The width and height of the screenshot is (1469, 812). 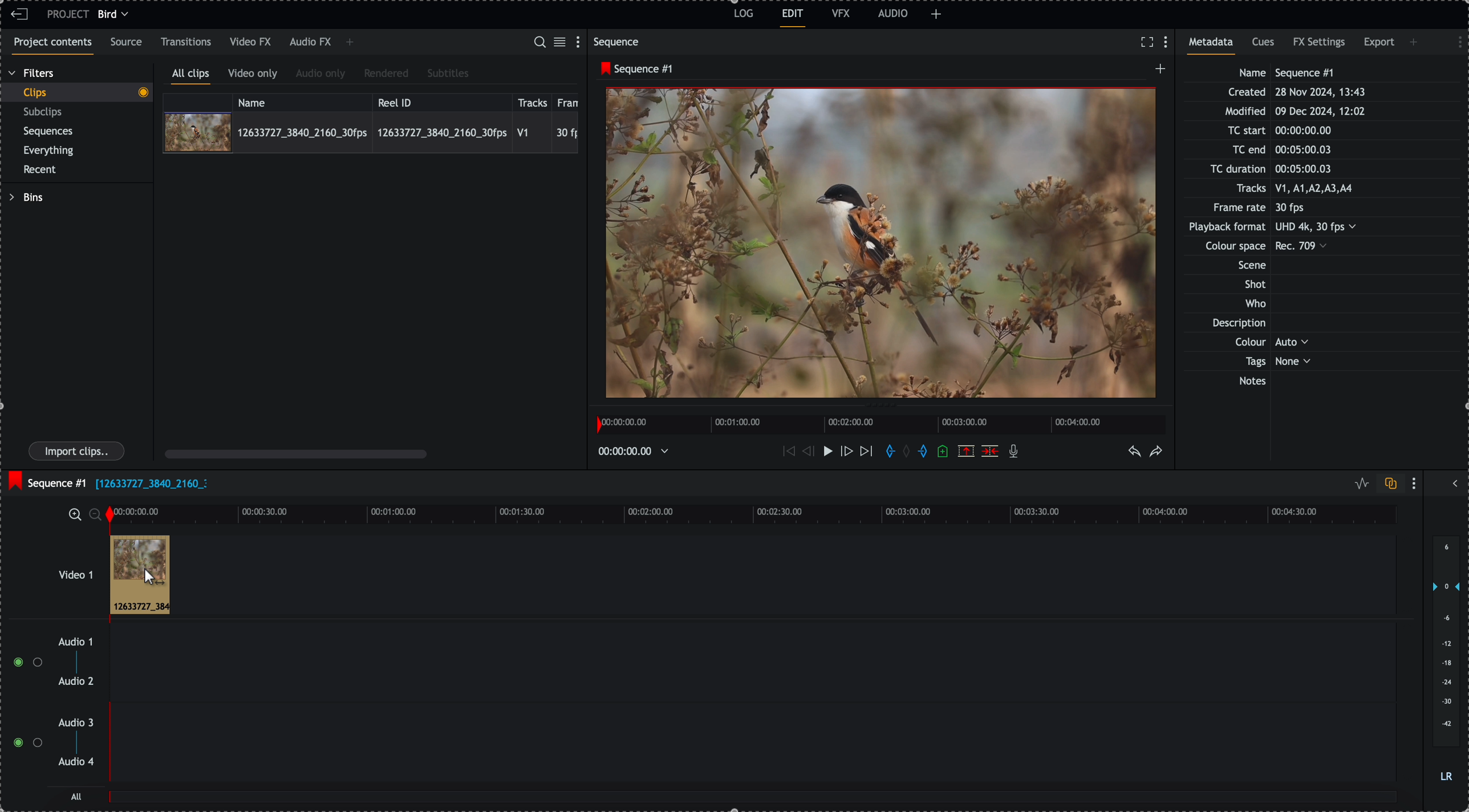 What do you see at coordinates (147, 576) in the screenshot?
I see `right click` at bounding box center [147, 576].